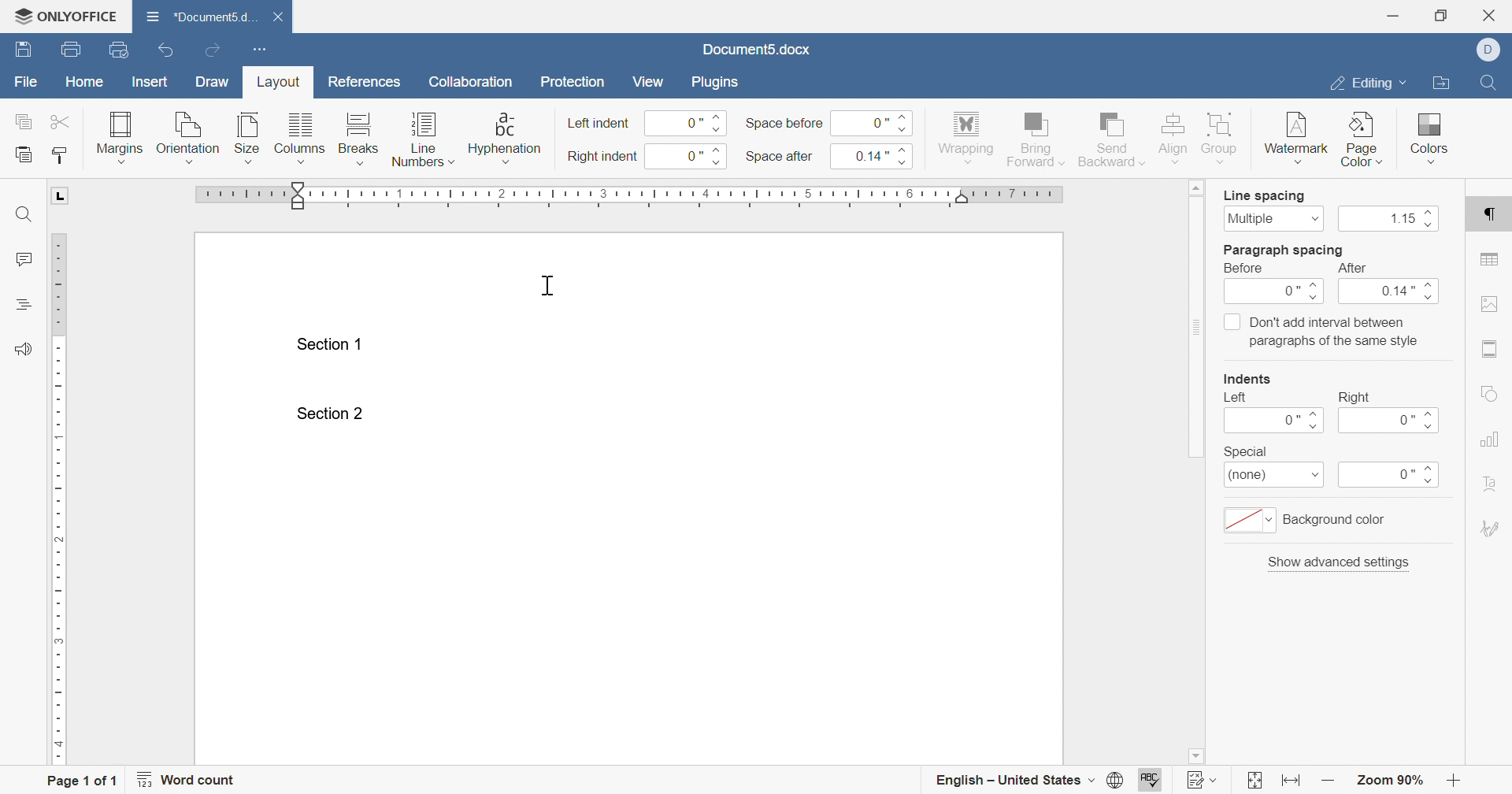  I want to click on fit to slide, so click(1254, 781).